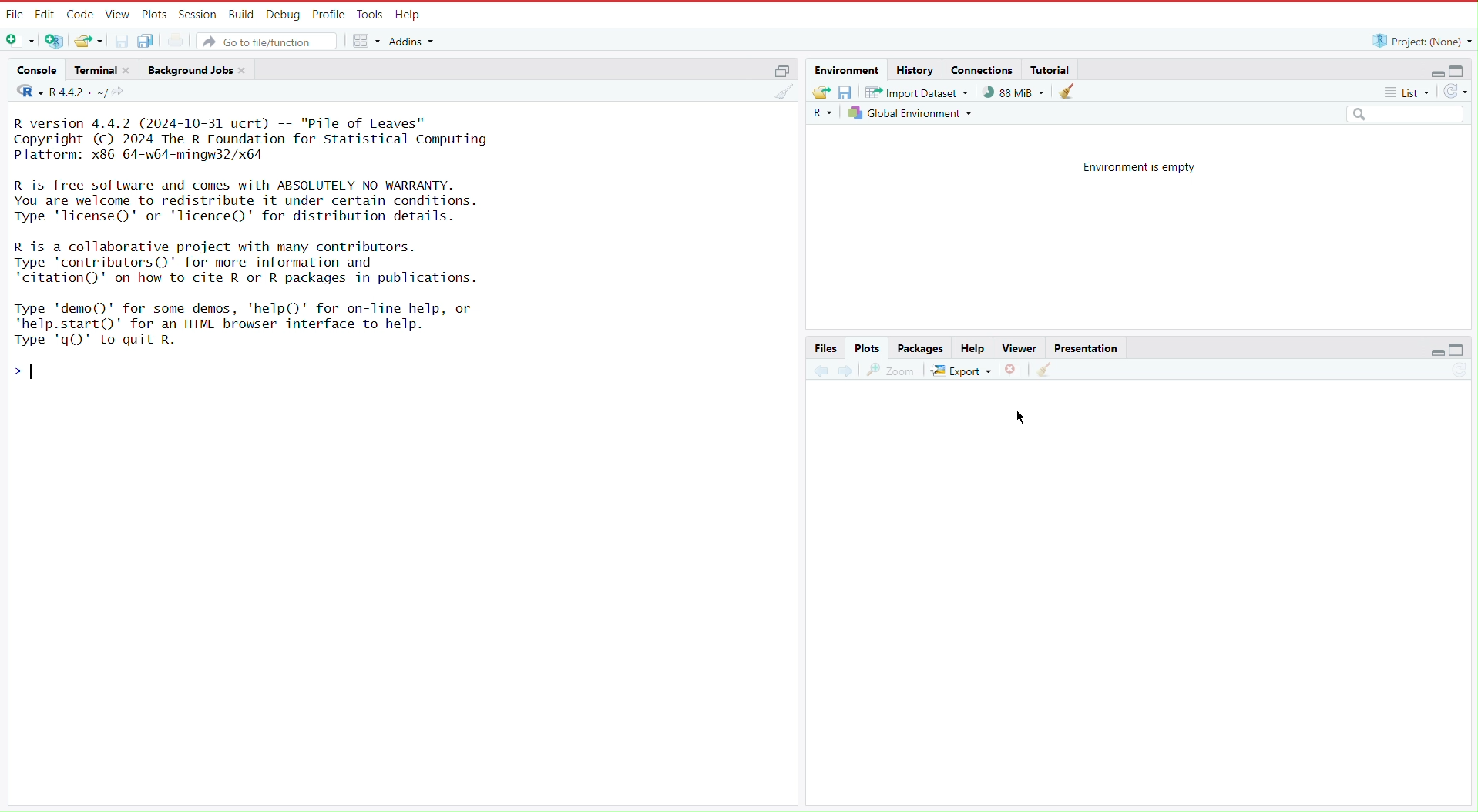  I want to click on Console, so click(37, 72).